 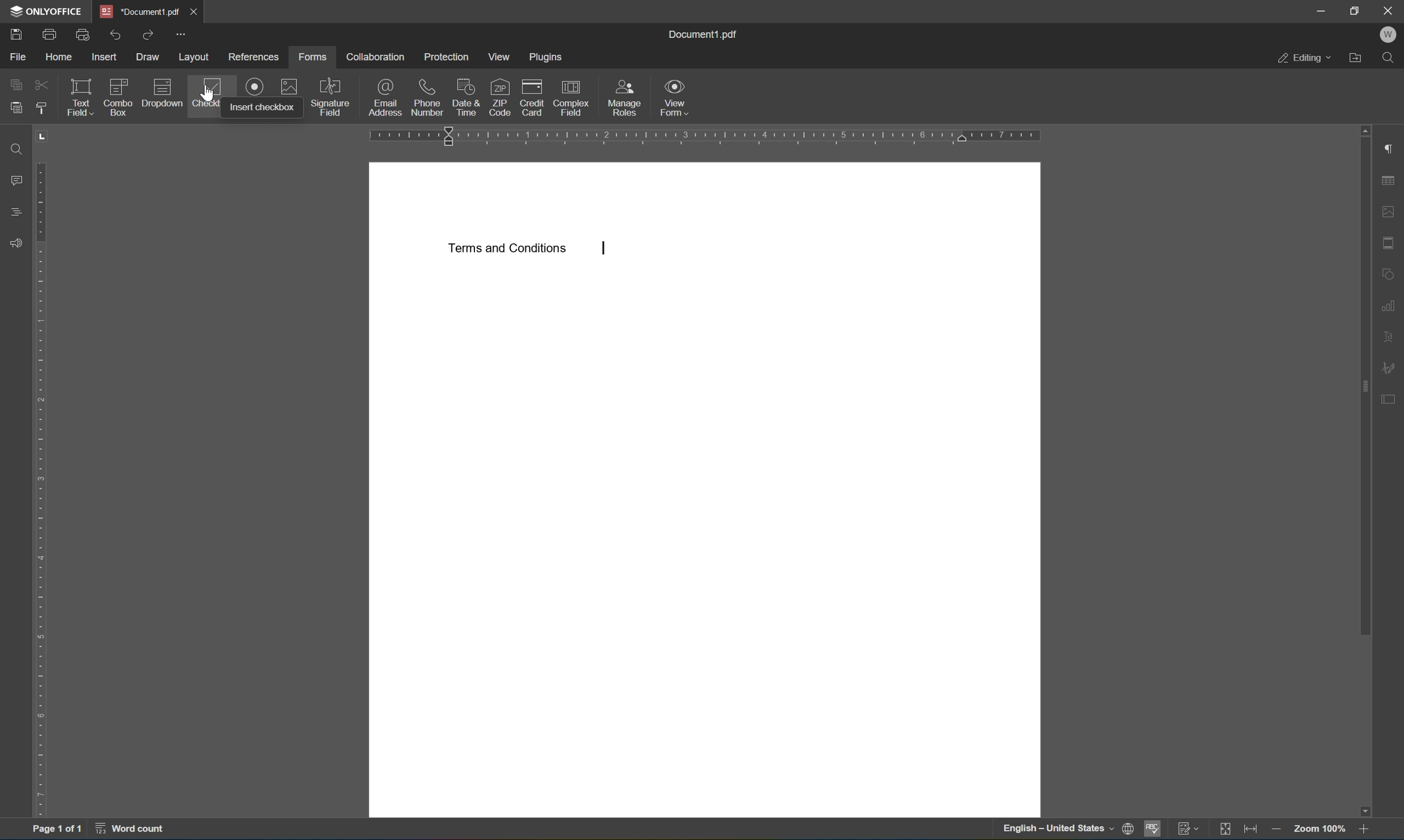 I want to click on redo, so click(x=148, y=36).